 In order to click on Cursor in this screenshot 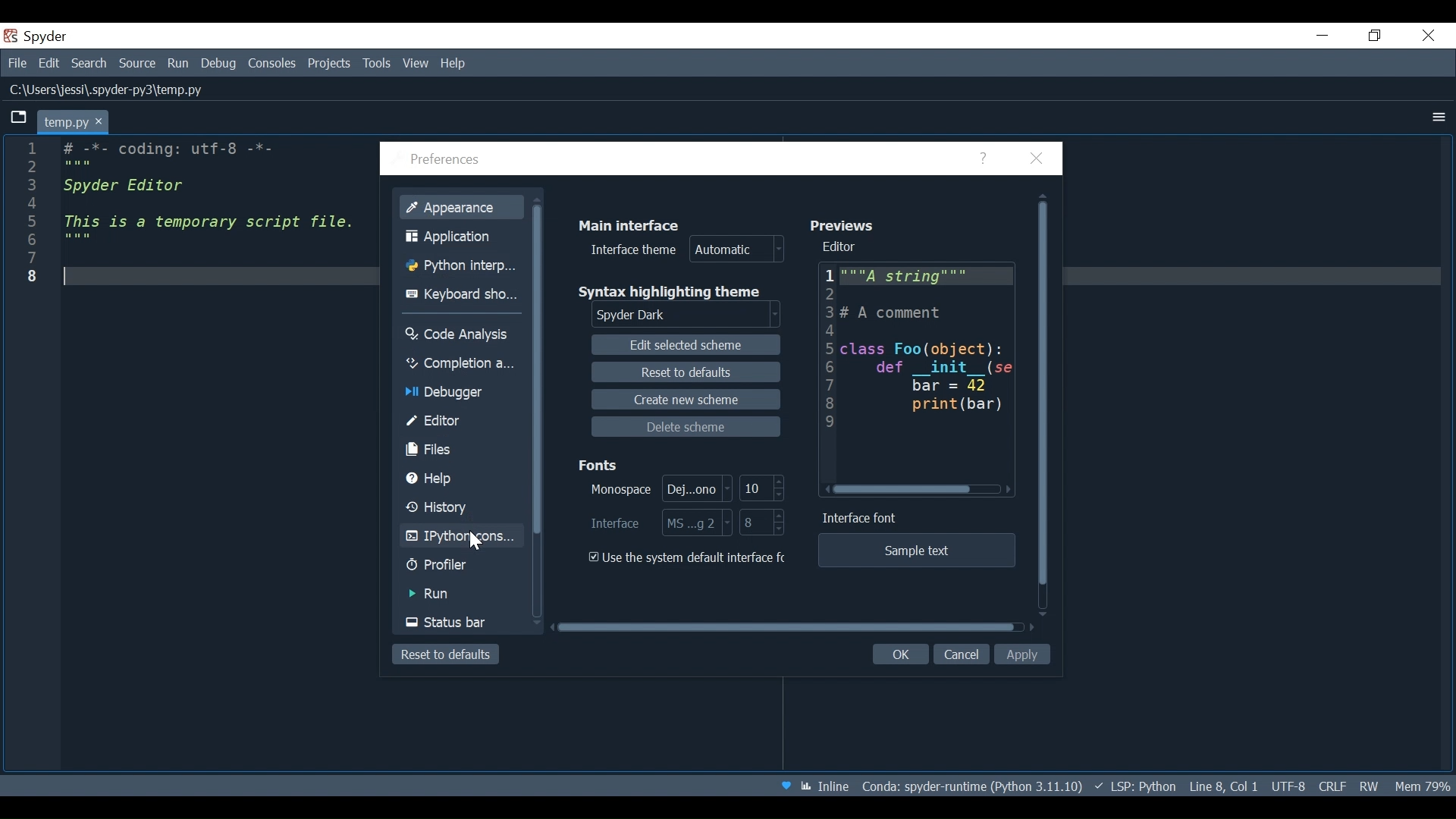, I will do `click(479, 542)`.